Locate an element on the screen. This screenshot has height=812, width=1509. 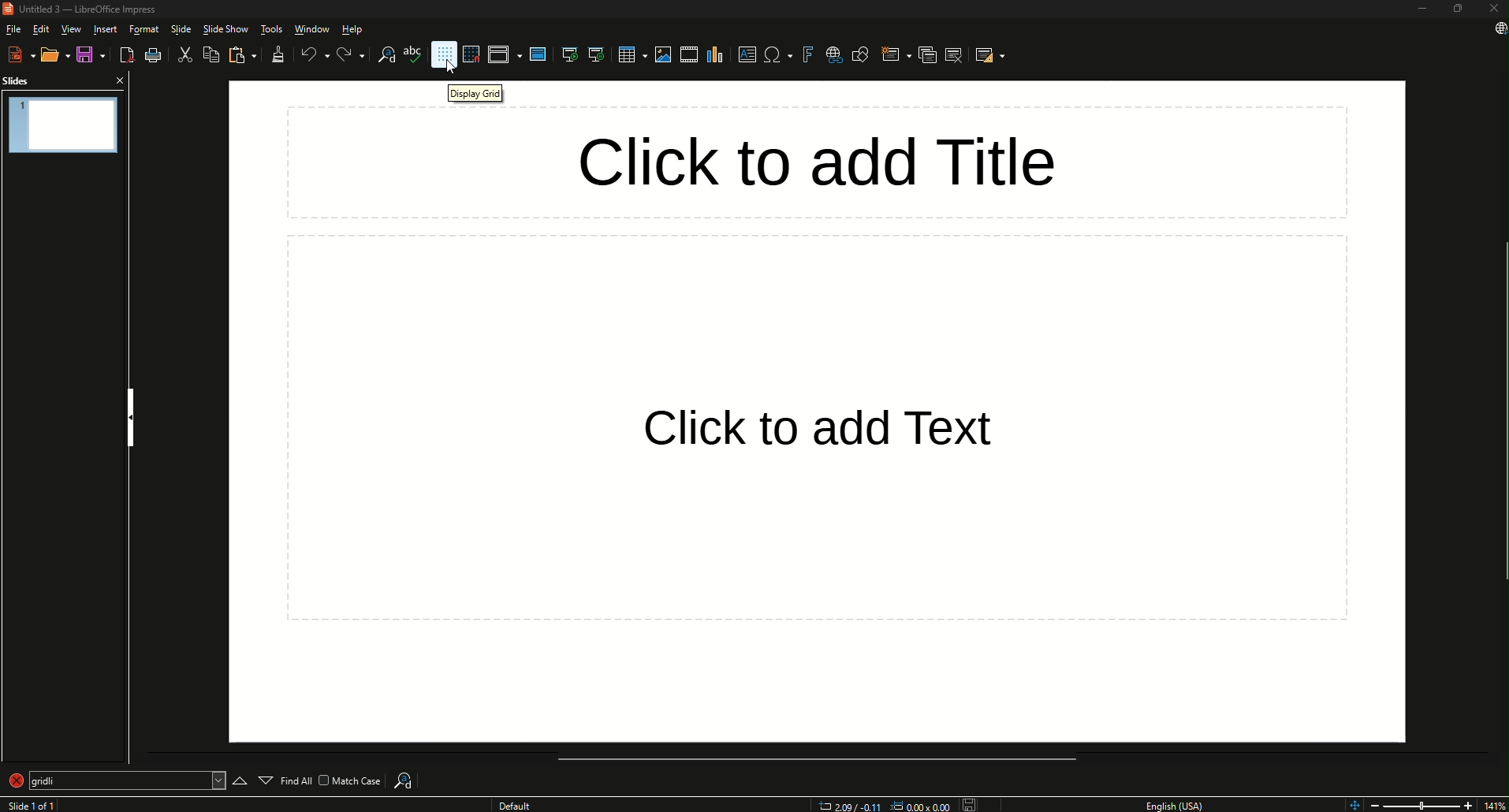
Open is located at coordinates (53, 56).